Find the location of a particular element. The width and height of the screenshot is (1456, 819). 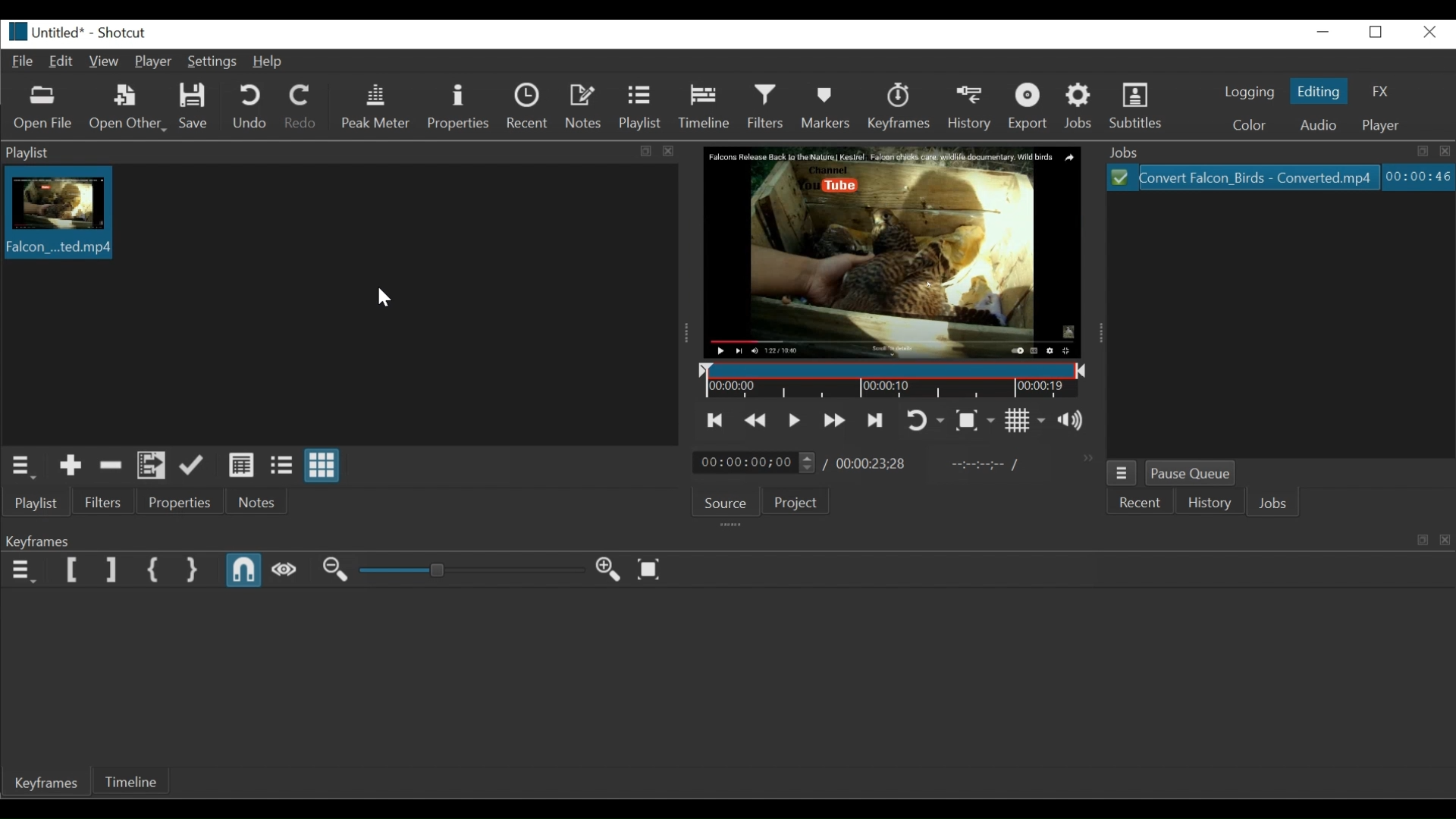

Play quickly forward is located at coordinates (834, 420).